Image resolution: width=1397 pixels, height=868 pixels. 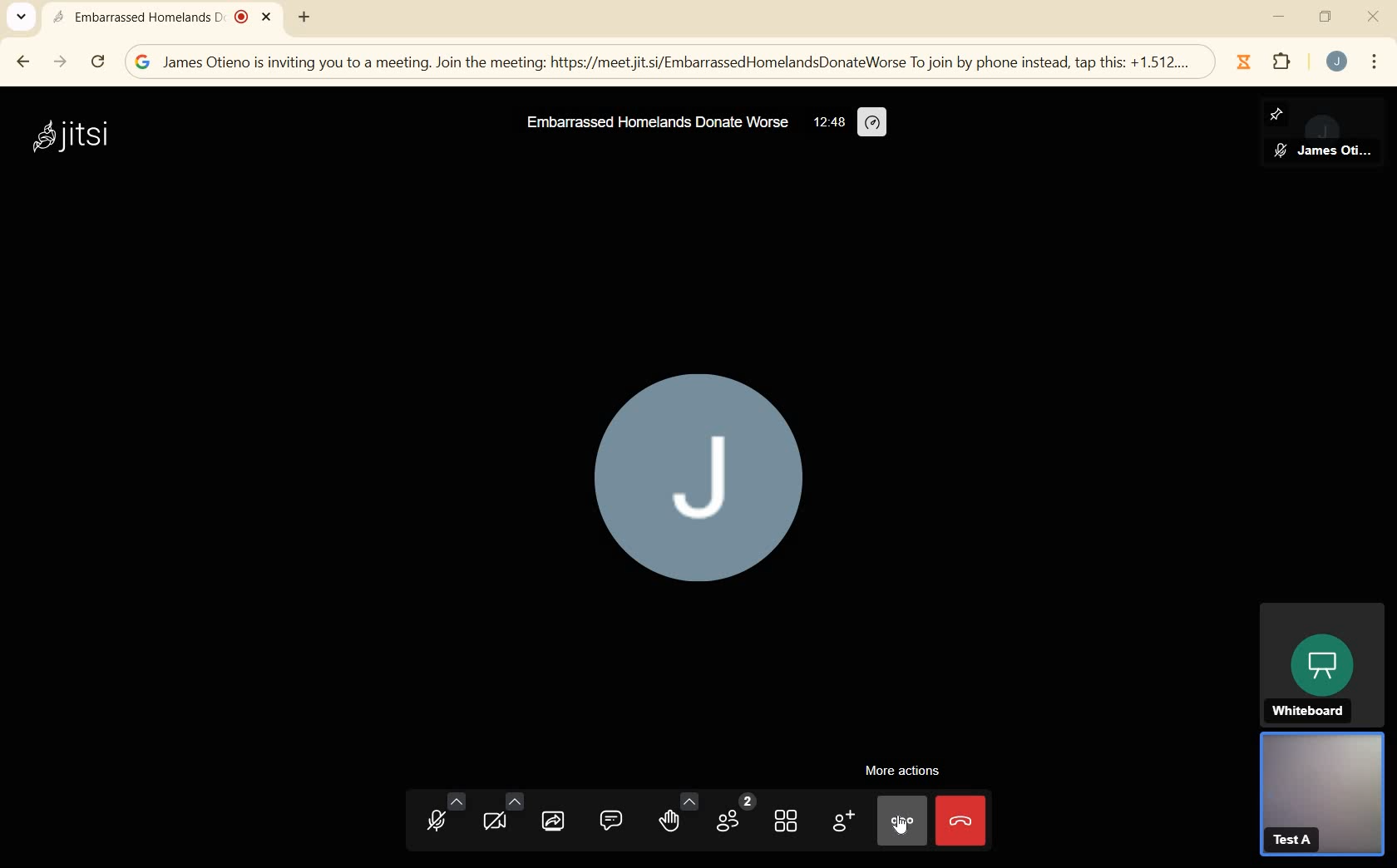 What do you see at coordinates (612, 821) in the screenshot?
I see `open chat` at bounding box center [612, 821].